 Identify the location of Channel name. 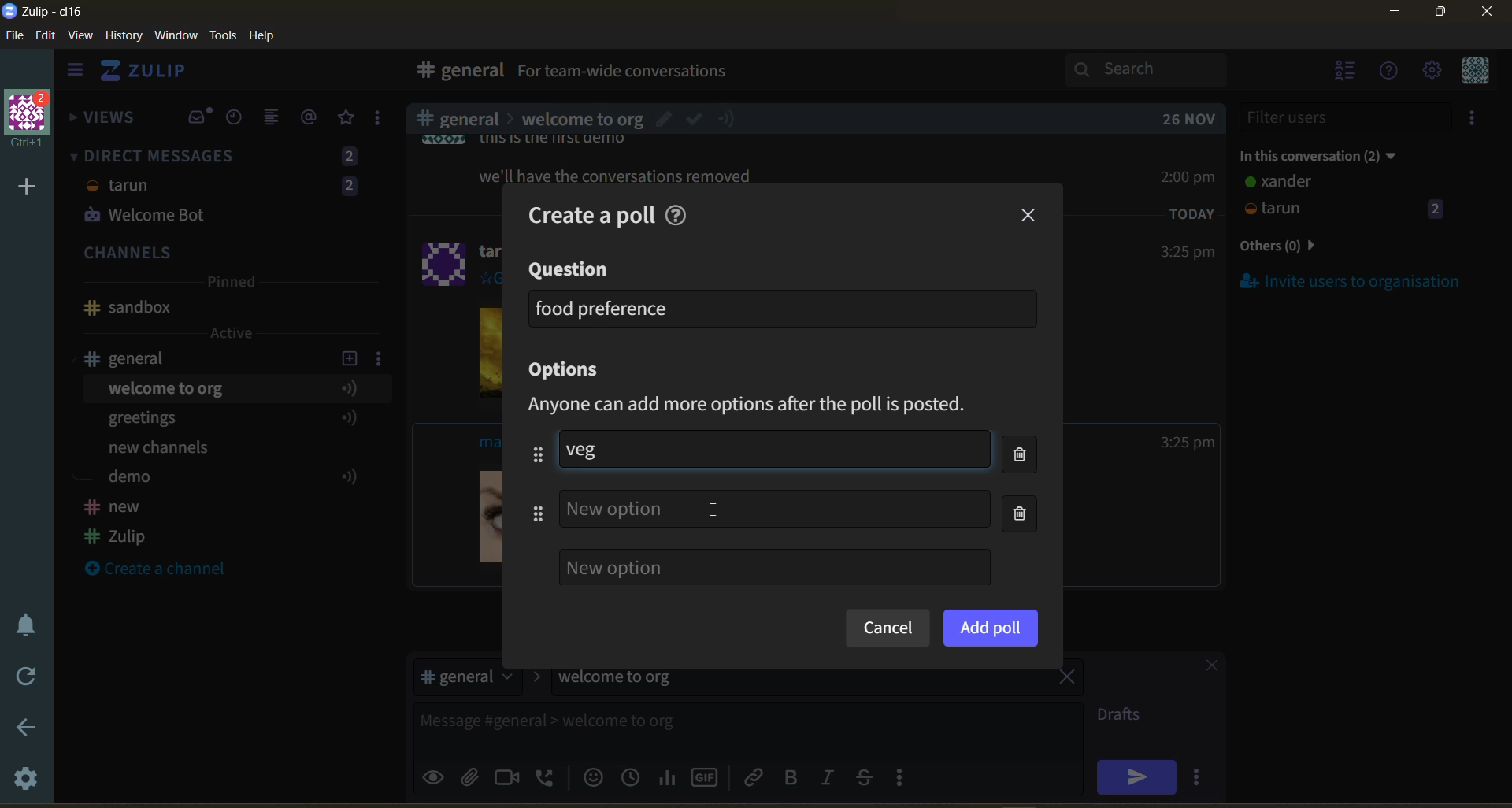
(128, 308).